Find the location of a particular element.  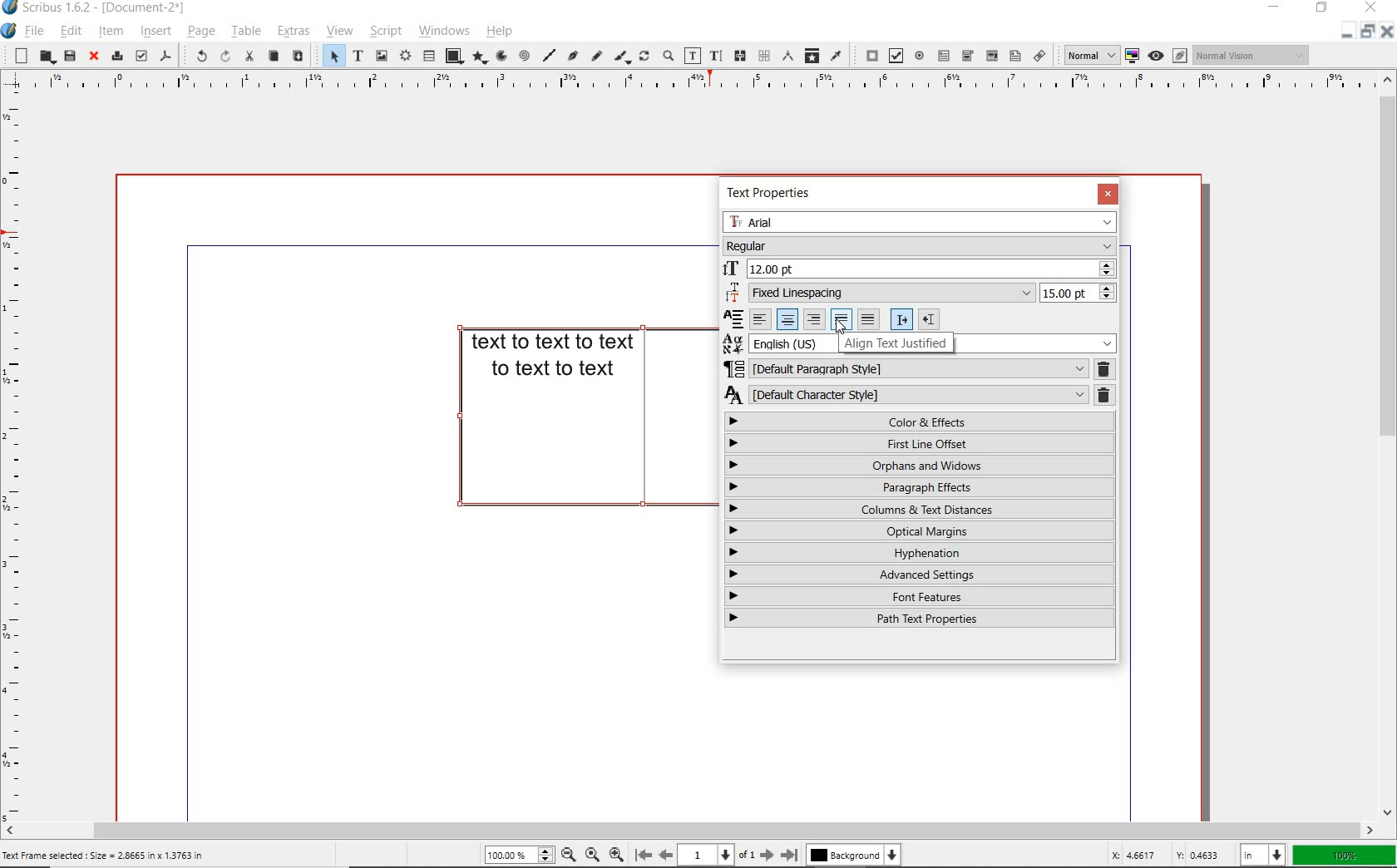

select image preview quality is located at coordinates (1086, 54).